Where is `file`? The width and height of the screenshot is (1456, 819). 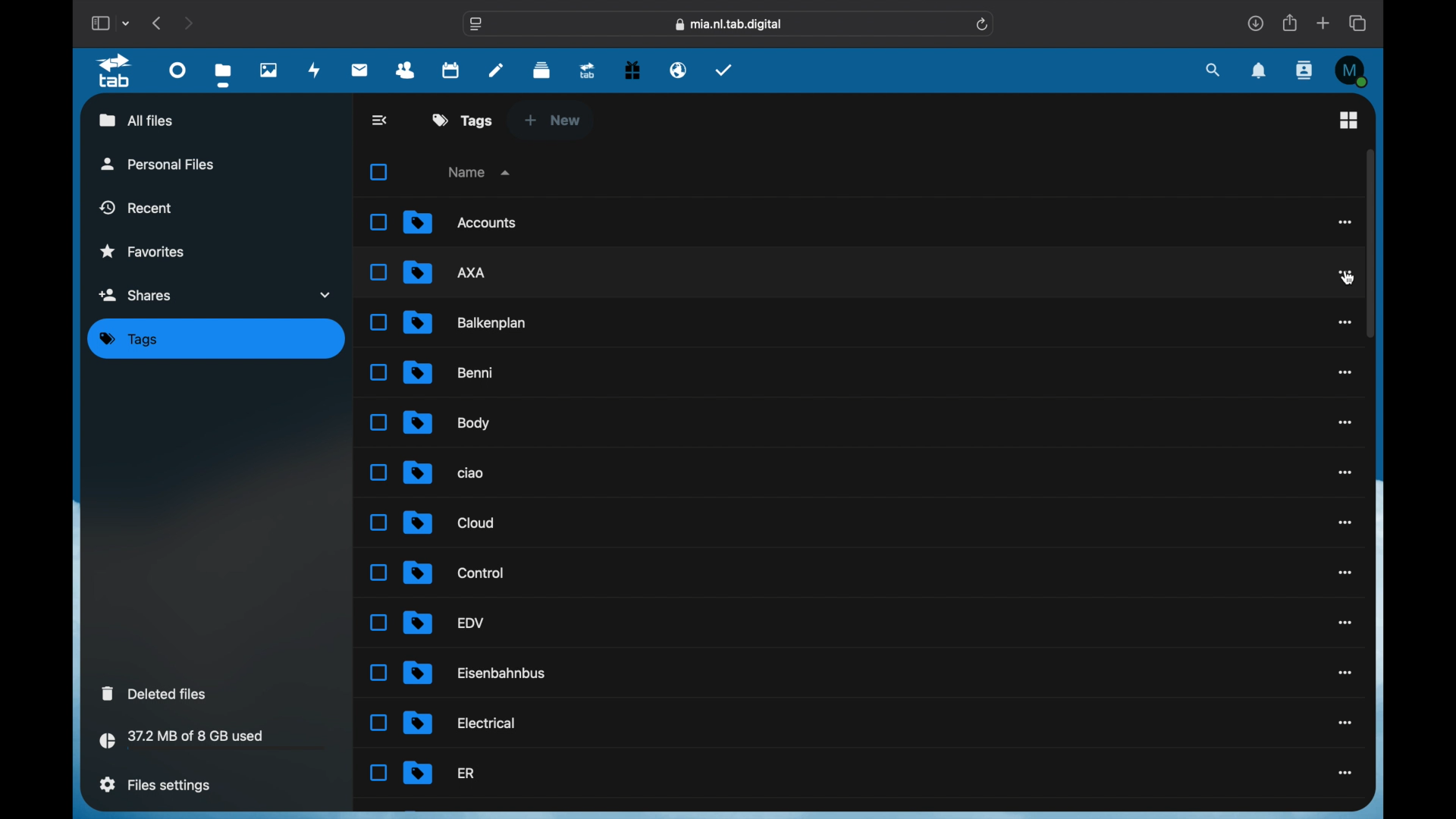 file is located at coordinates (468, 322).